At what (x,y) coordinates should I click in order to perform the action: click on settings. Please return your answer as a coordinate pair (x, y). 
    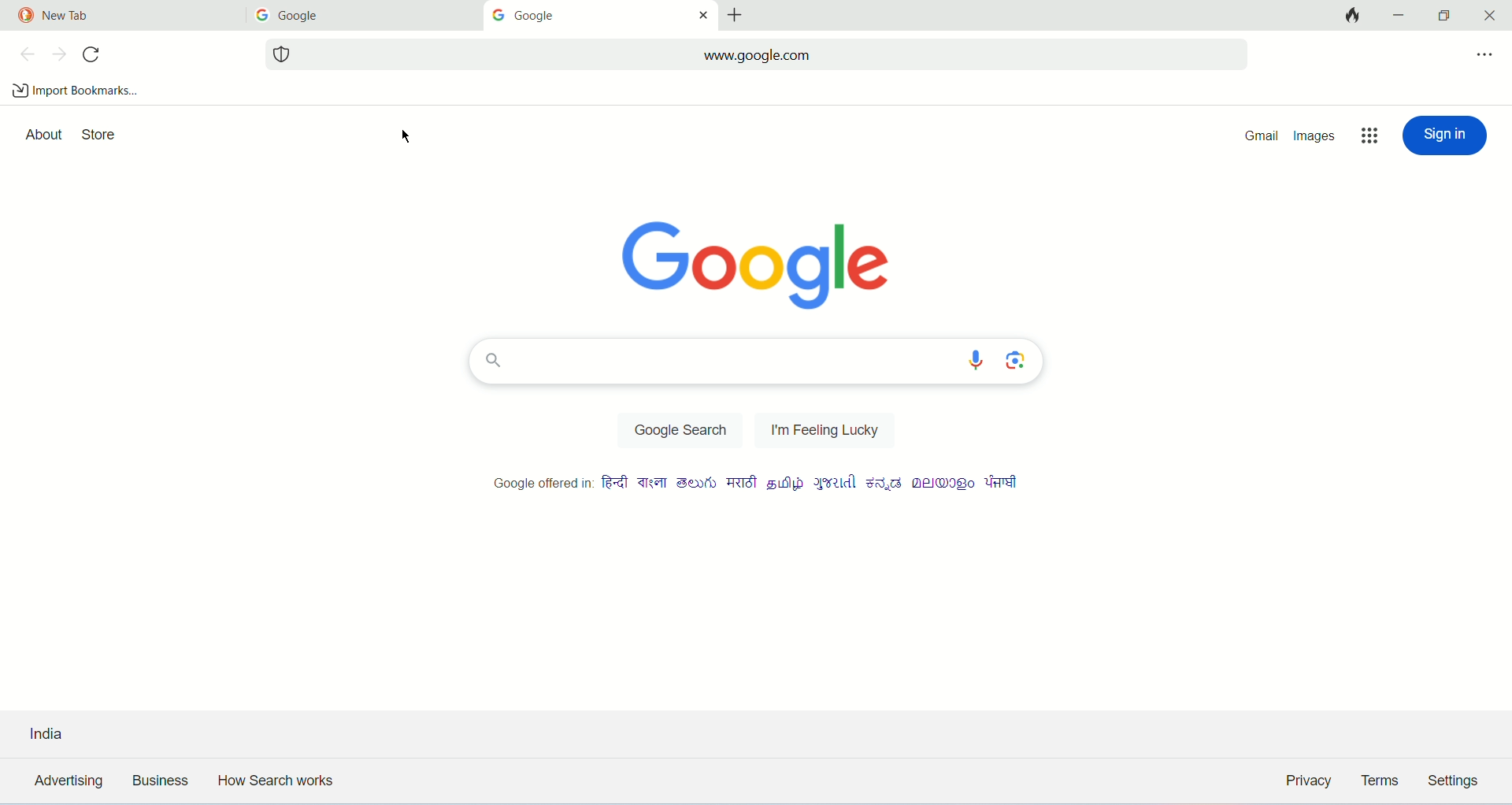
    Looking at the image, I should click on (1447, 781).